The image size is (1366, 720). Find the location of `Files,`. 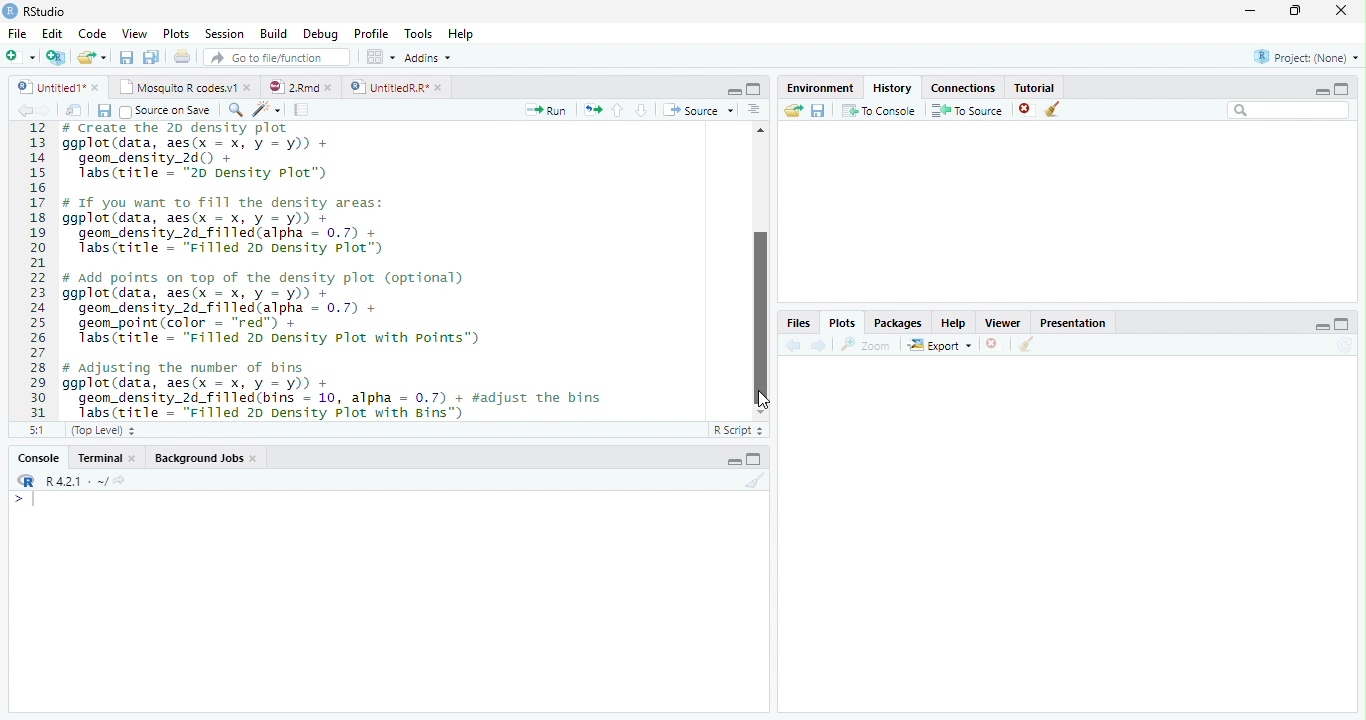

Files, is located at coordinates (795, 323).